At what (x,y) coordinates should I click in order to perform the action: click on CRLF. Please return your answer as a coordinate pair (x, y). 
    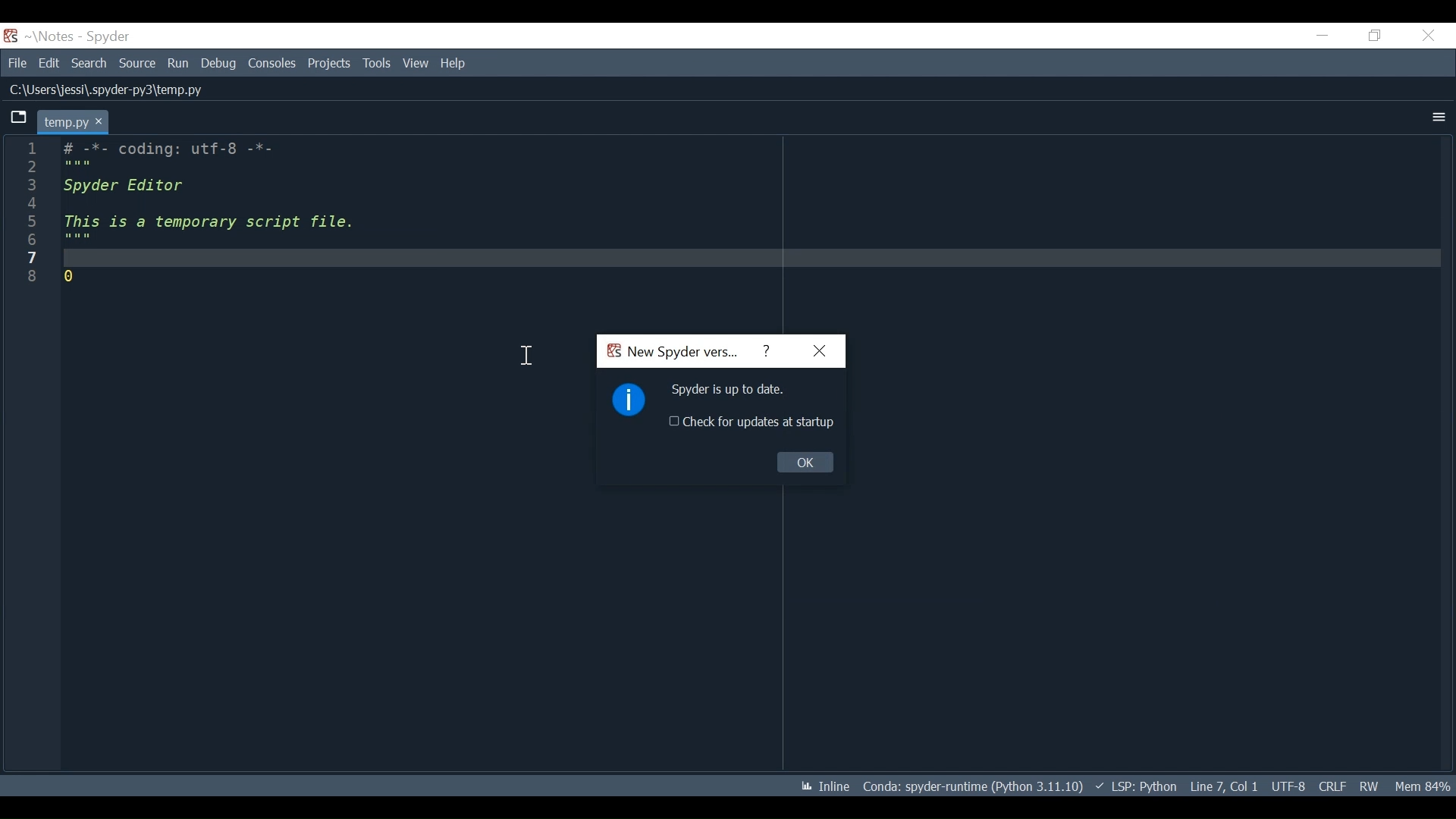
    Looking at the image, I should click on (1333, 786).